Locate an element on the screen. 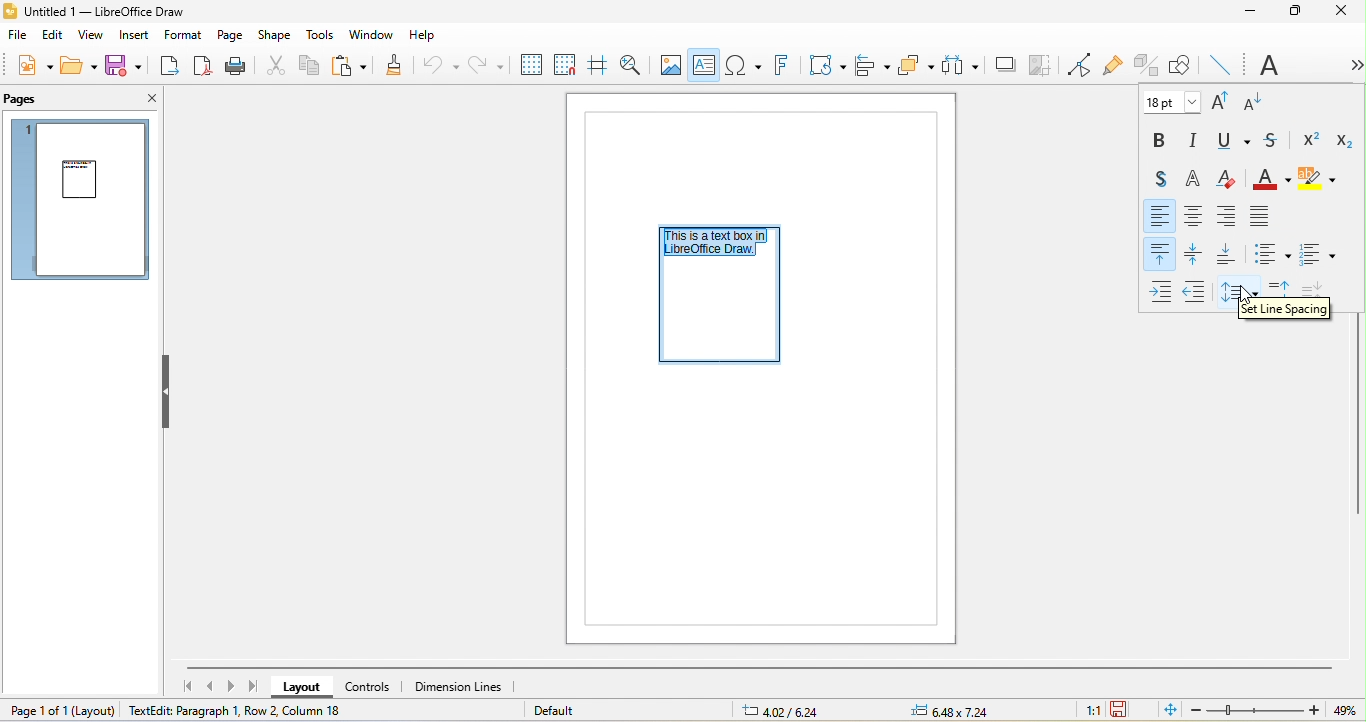 This screenshot has width=1366, height=722. gluepoint function is located at coordinates (1115, 63).